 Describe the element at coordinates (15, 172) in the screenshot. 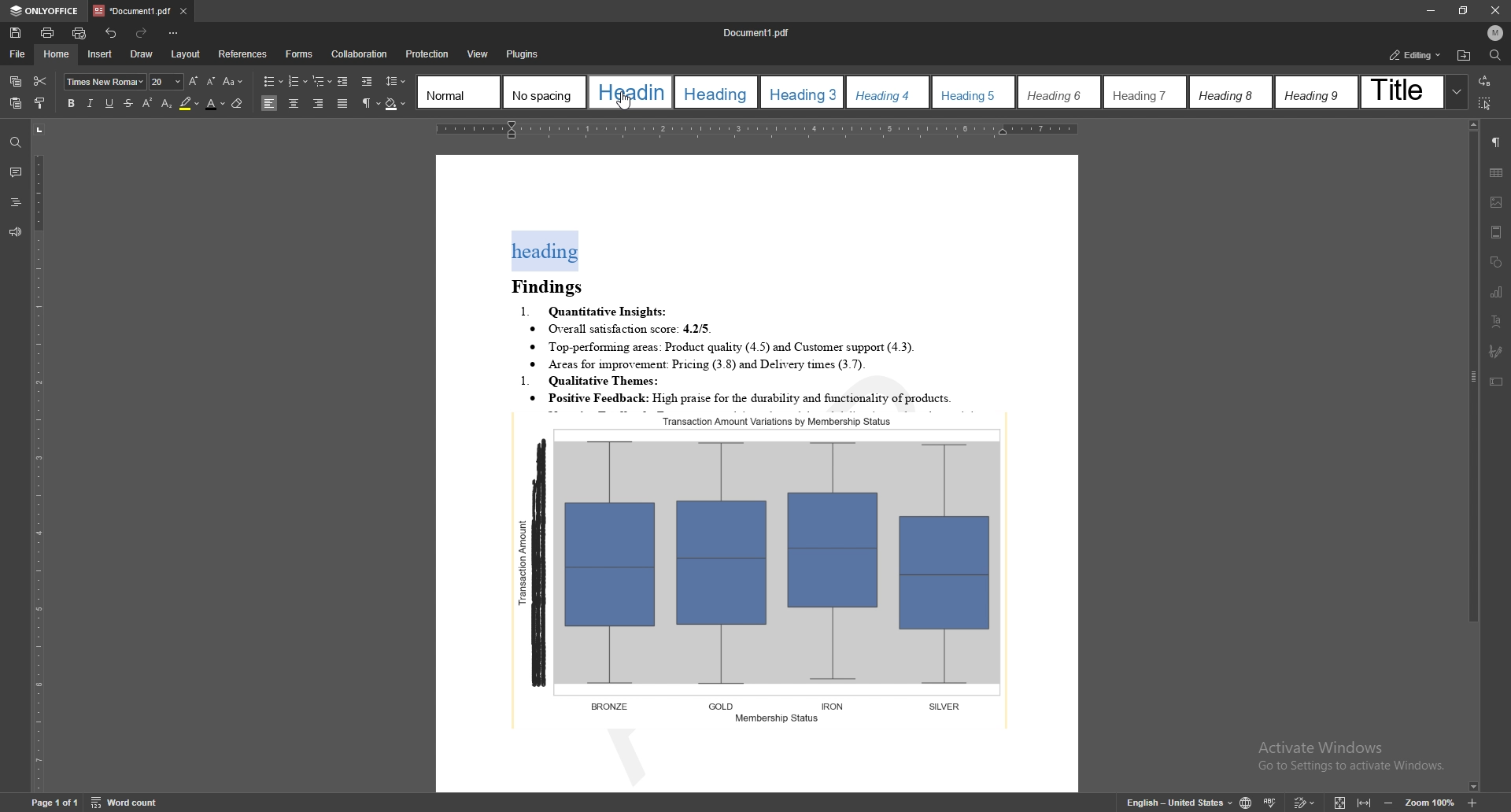

I see `comment` at that location.